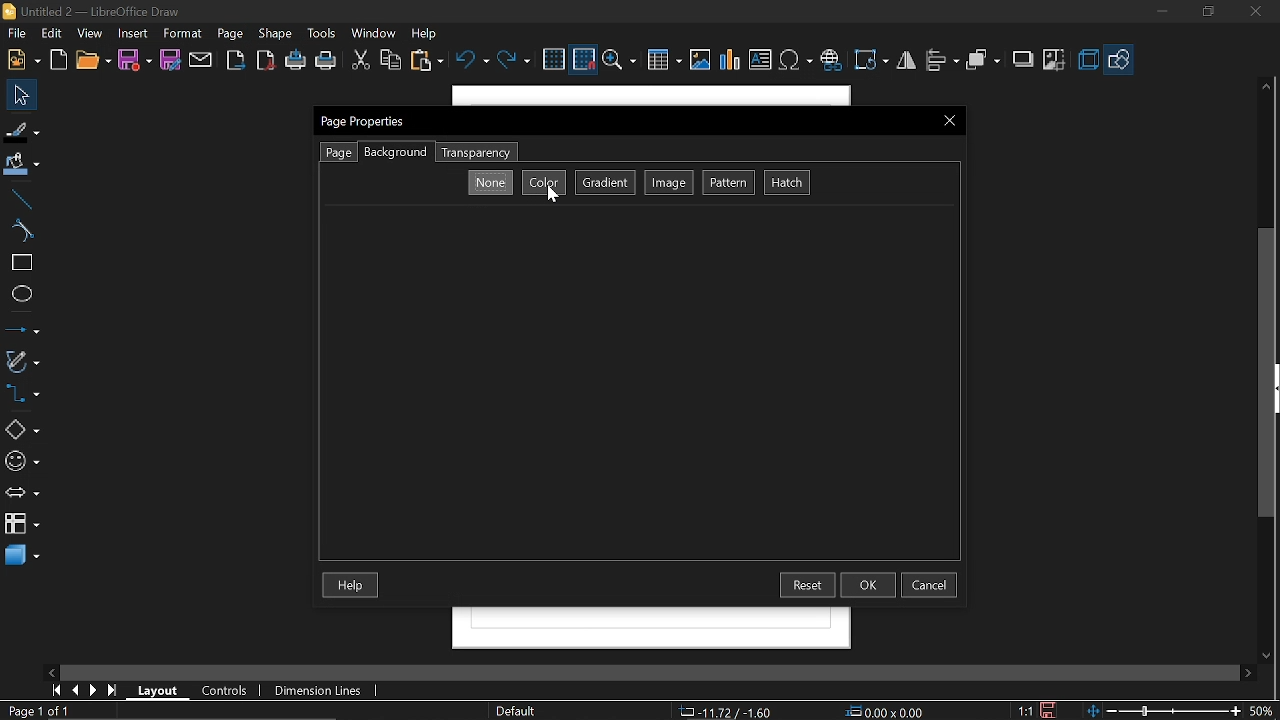 This screenshot has width=1280, height=720. What do you see at coordinates (1088, 60) in the screenshot?
I see `3d effects` at bounding box center [1088, 60].